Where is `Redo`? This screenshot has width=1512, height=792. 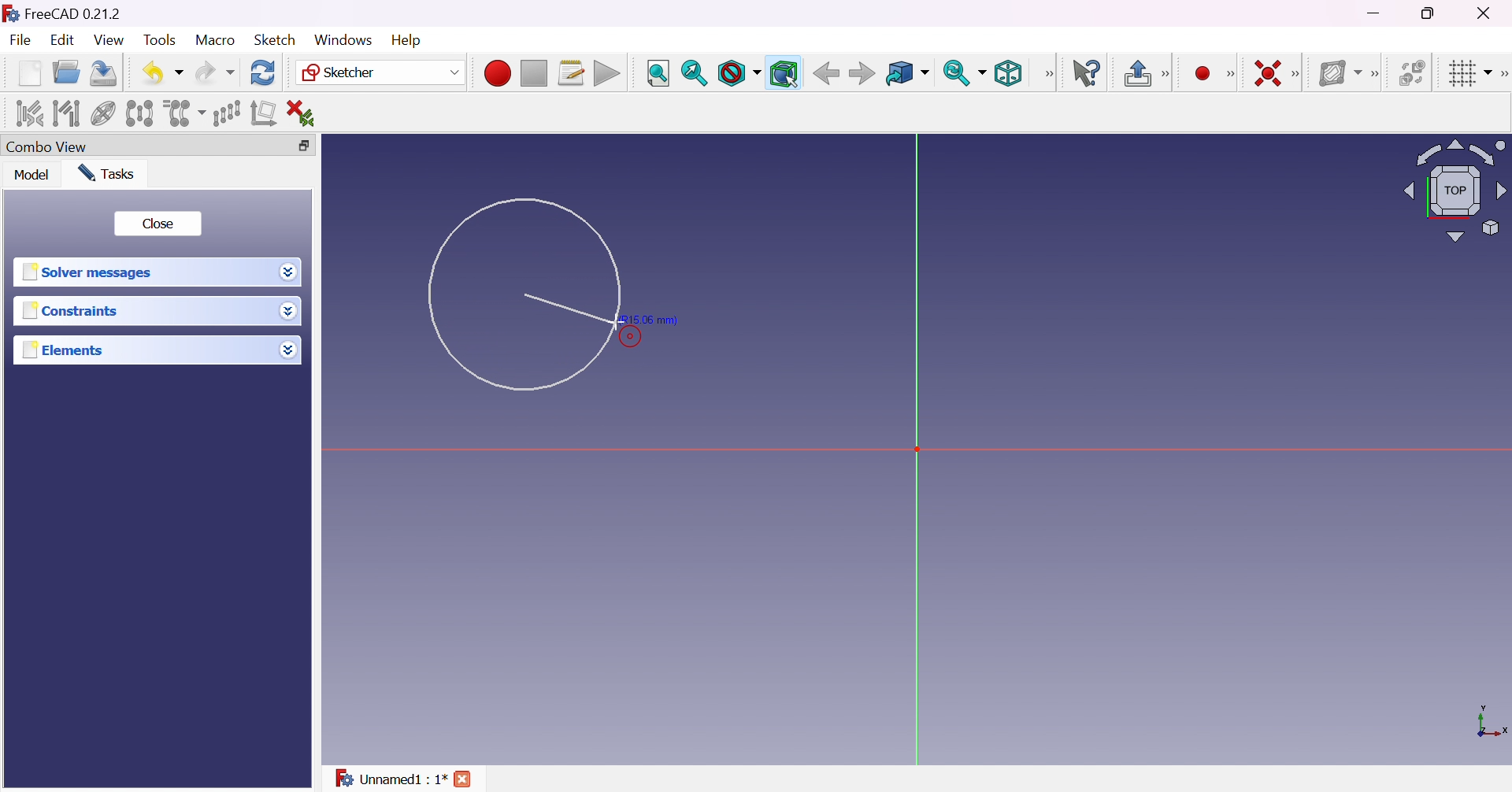 Redo is located at coordinates (215, 72).